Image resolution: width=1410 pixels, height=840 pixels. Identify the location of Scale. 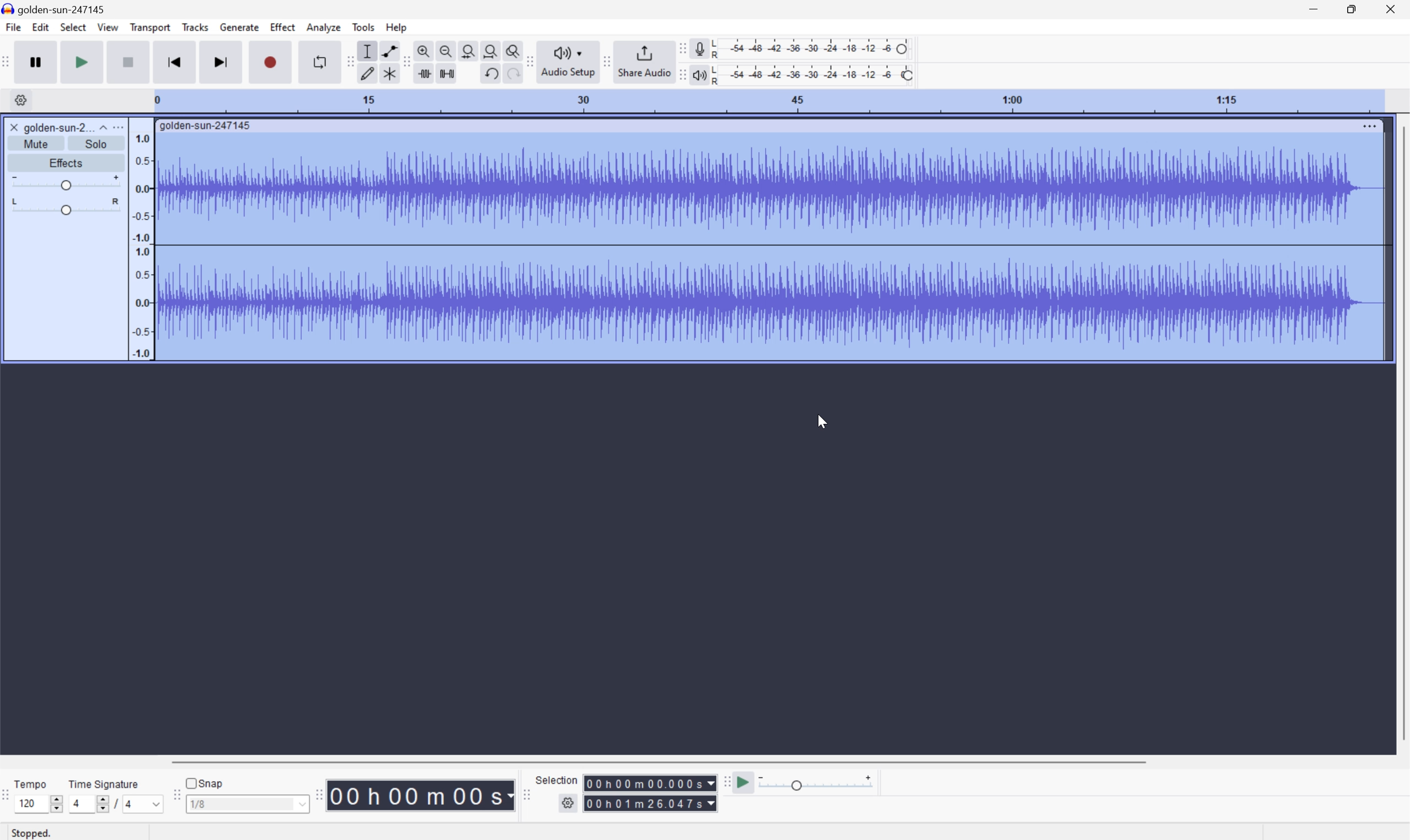
(768, 101).